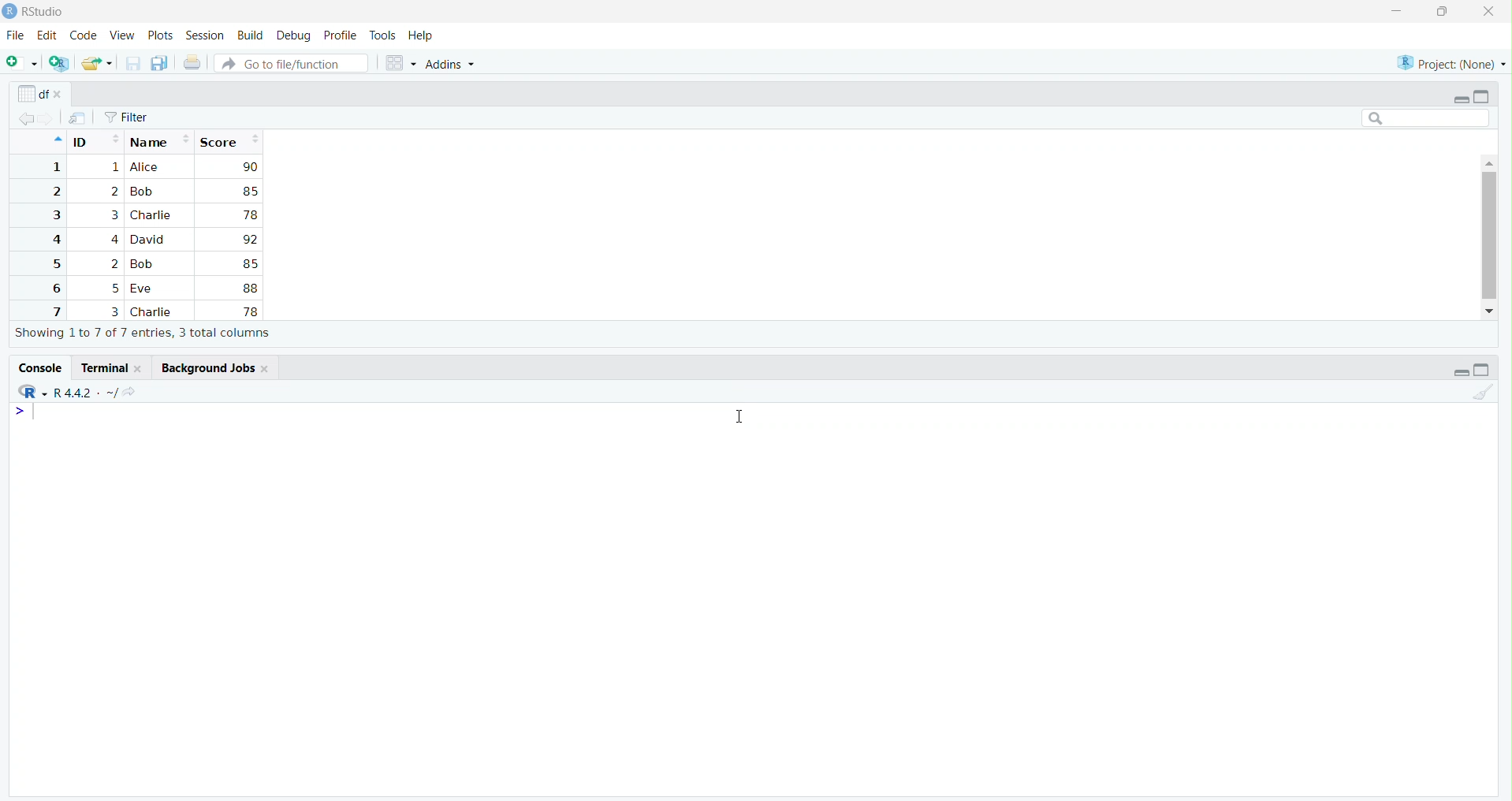 This screenshot has height=801, width=1512. What do you see at coordinates (23, 62) in the screenshot?
I see `new file` at bounding box center [23, 62].